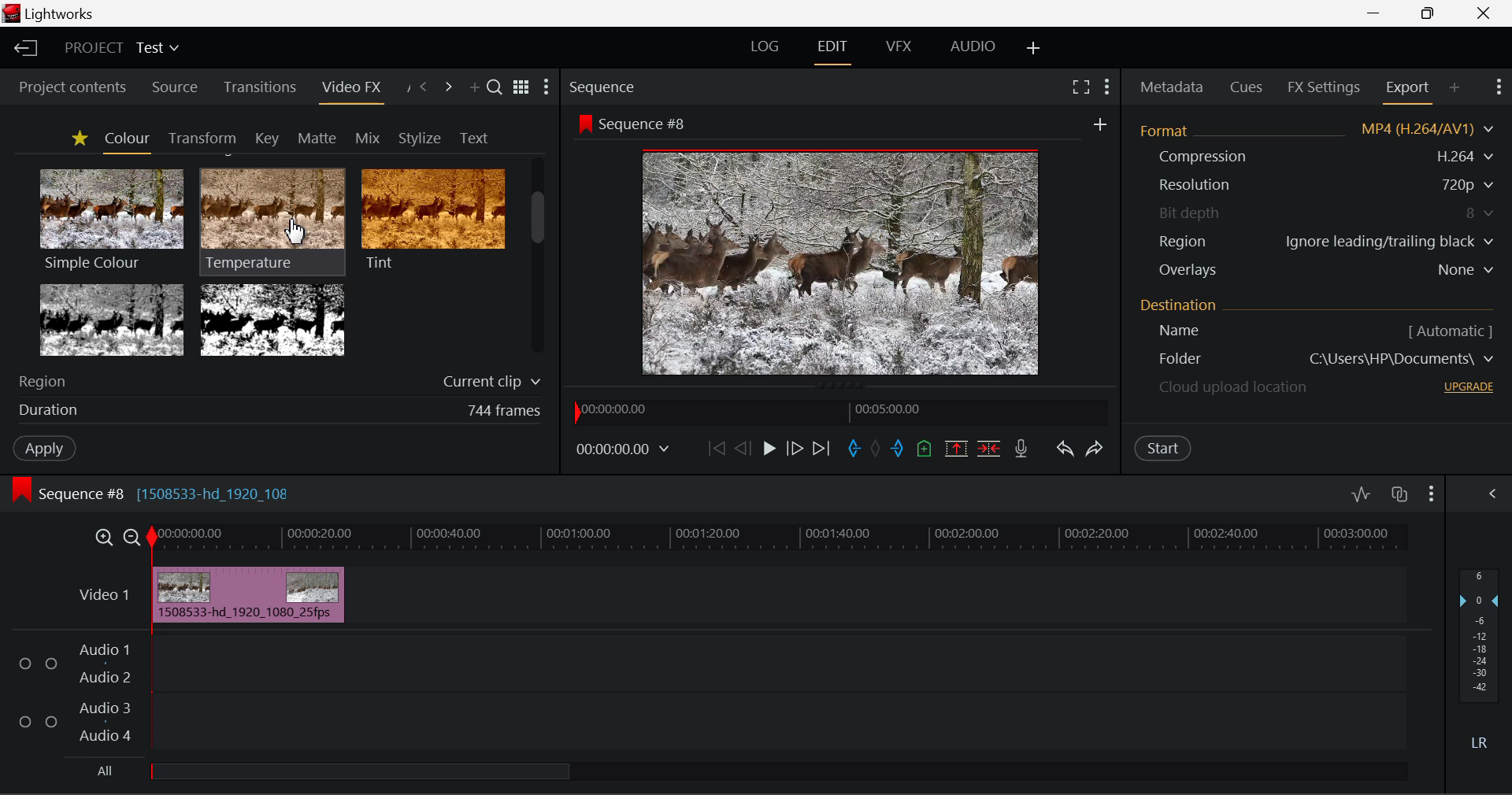 This screenshot has height=795, width=1512. I want to click on Sequence Preview Section, so click(605, 89).